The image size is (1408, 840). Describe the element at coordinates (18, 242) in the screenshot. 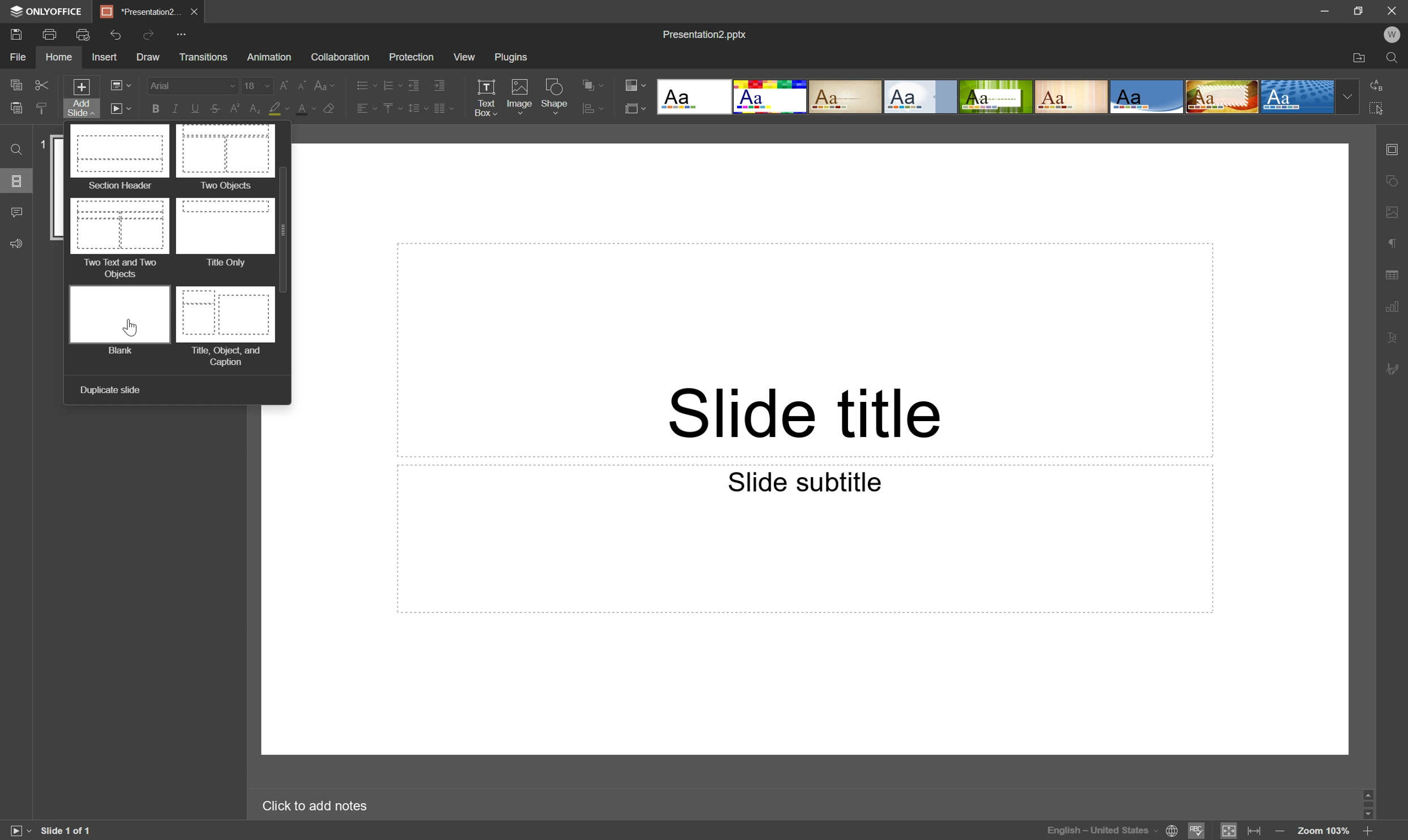

I see `Feedback & Support` at that location.